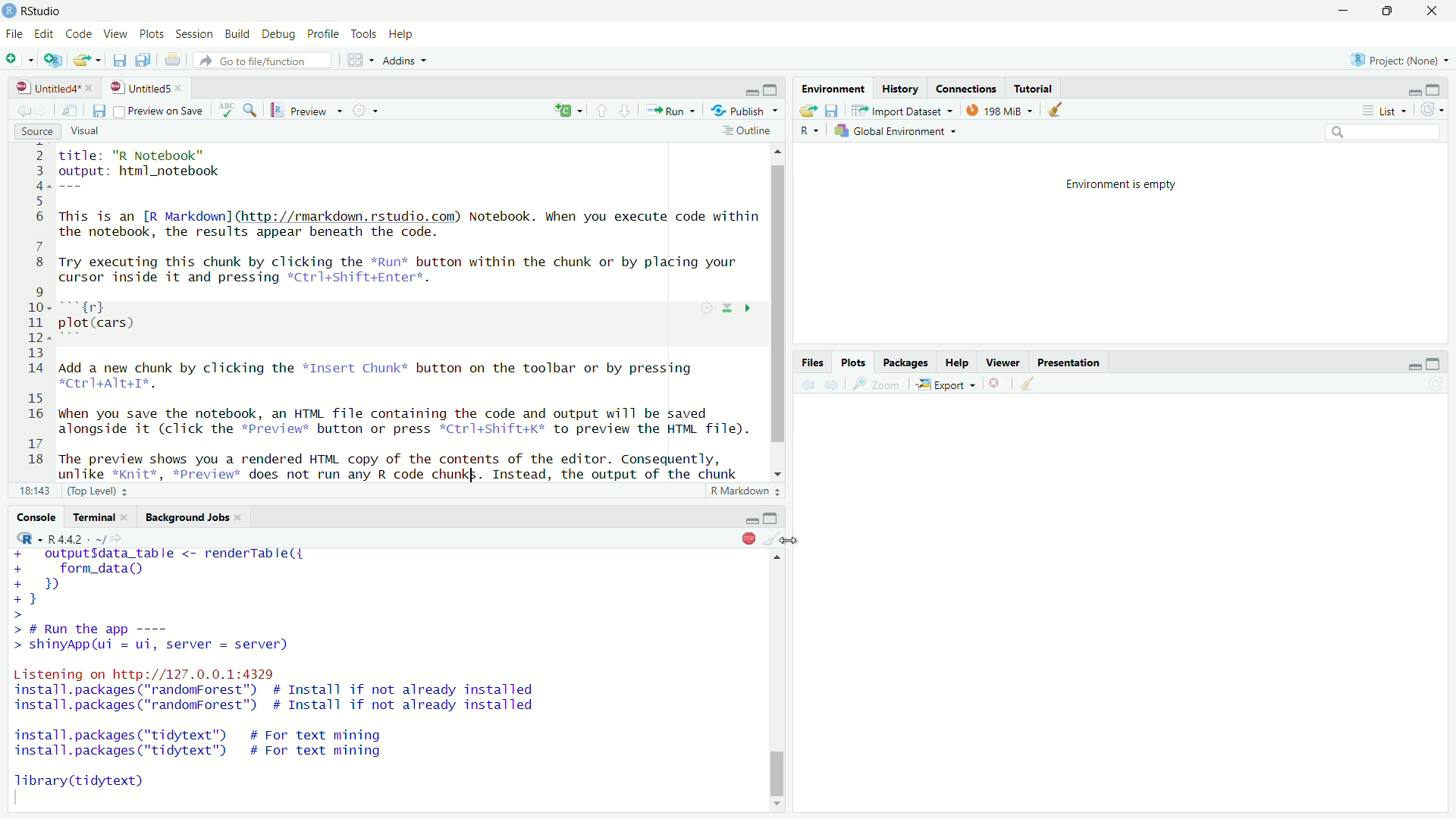 The image size is (1456, 819). Describe the element at coordinates (282, 668) in the screenshot. I see `R - R442 ~/

+ outputfdata_table <- renderTable({

+ form_data()

+B

+}

>

> # Run the app ----

> shinyApp(ui = ui, server = server)

Listening on http://127.0.0.1:4329

install.packages ("randomForest") # Install if not already installed
install.packages ("randomForest") # Install if not already installed
install.packages ("tidytext") # For text mining

install.packages ("tidytext") # For text mining

Tibrary(tidytext)

|` at that location.